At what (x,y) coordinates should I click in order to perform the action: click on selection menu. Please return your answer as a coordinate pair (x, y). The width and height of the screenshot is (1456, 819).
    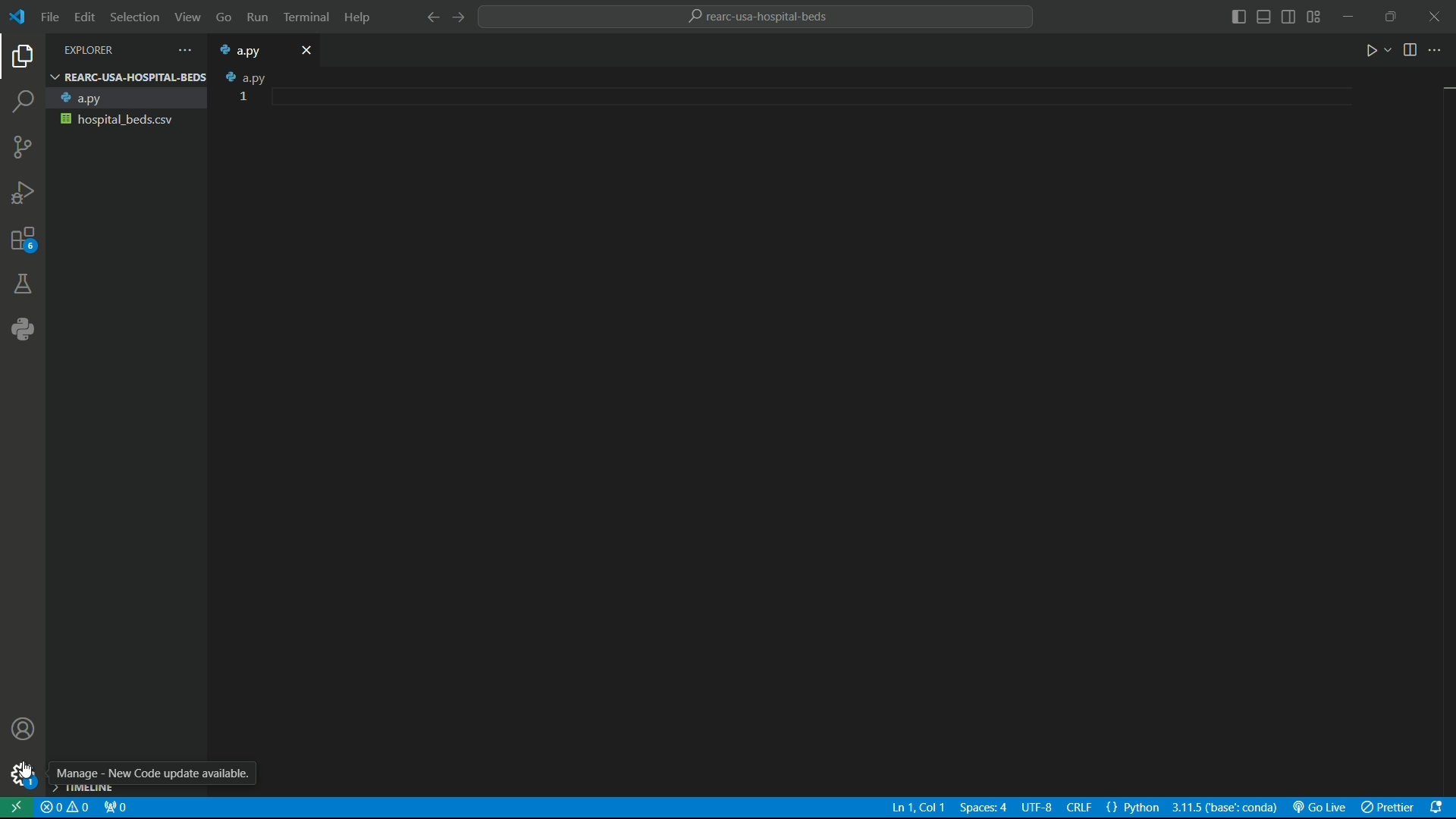
    Looking at the image, I should click on (132, 17).